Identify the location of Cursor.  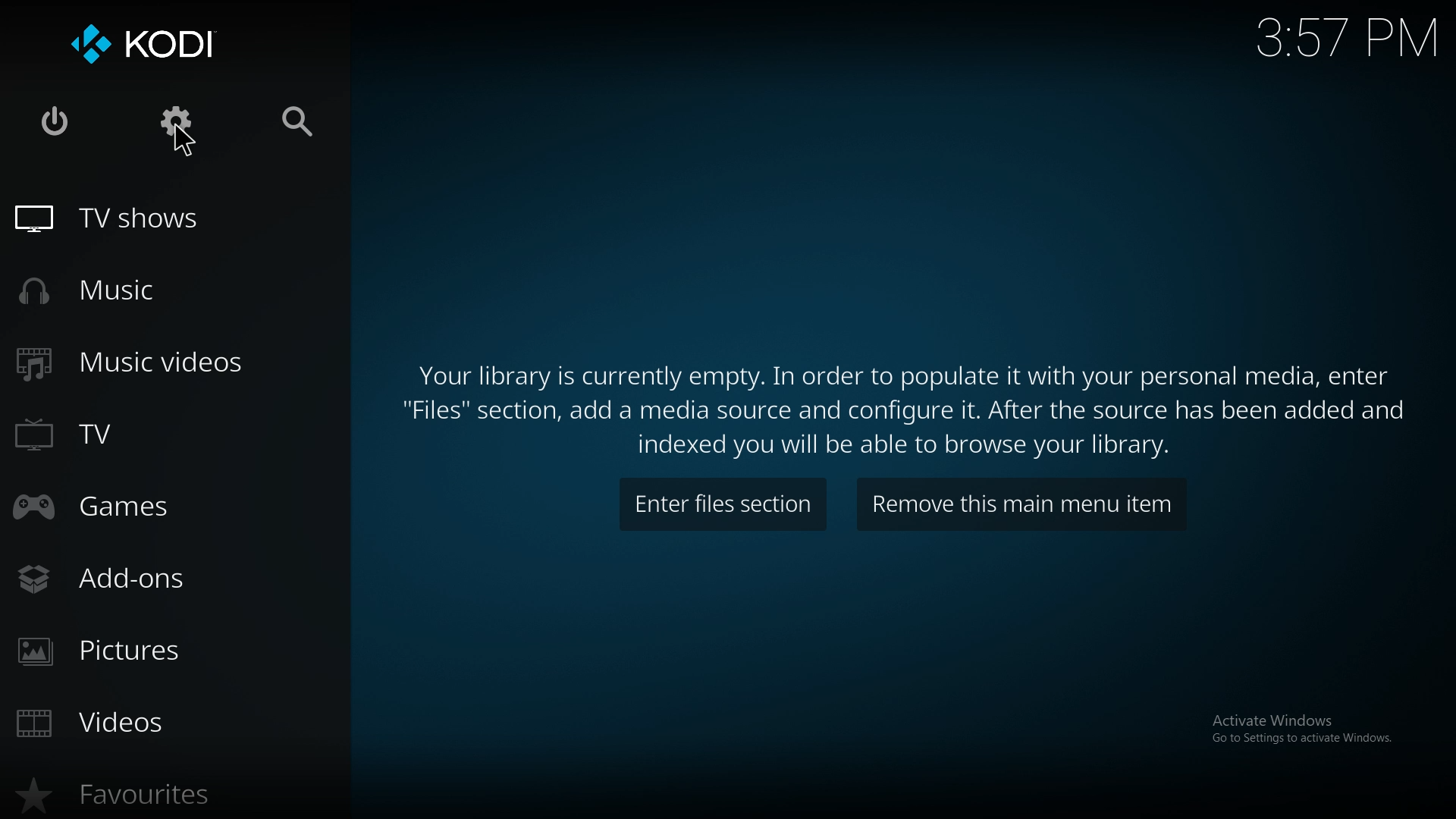
(190, 146).